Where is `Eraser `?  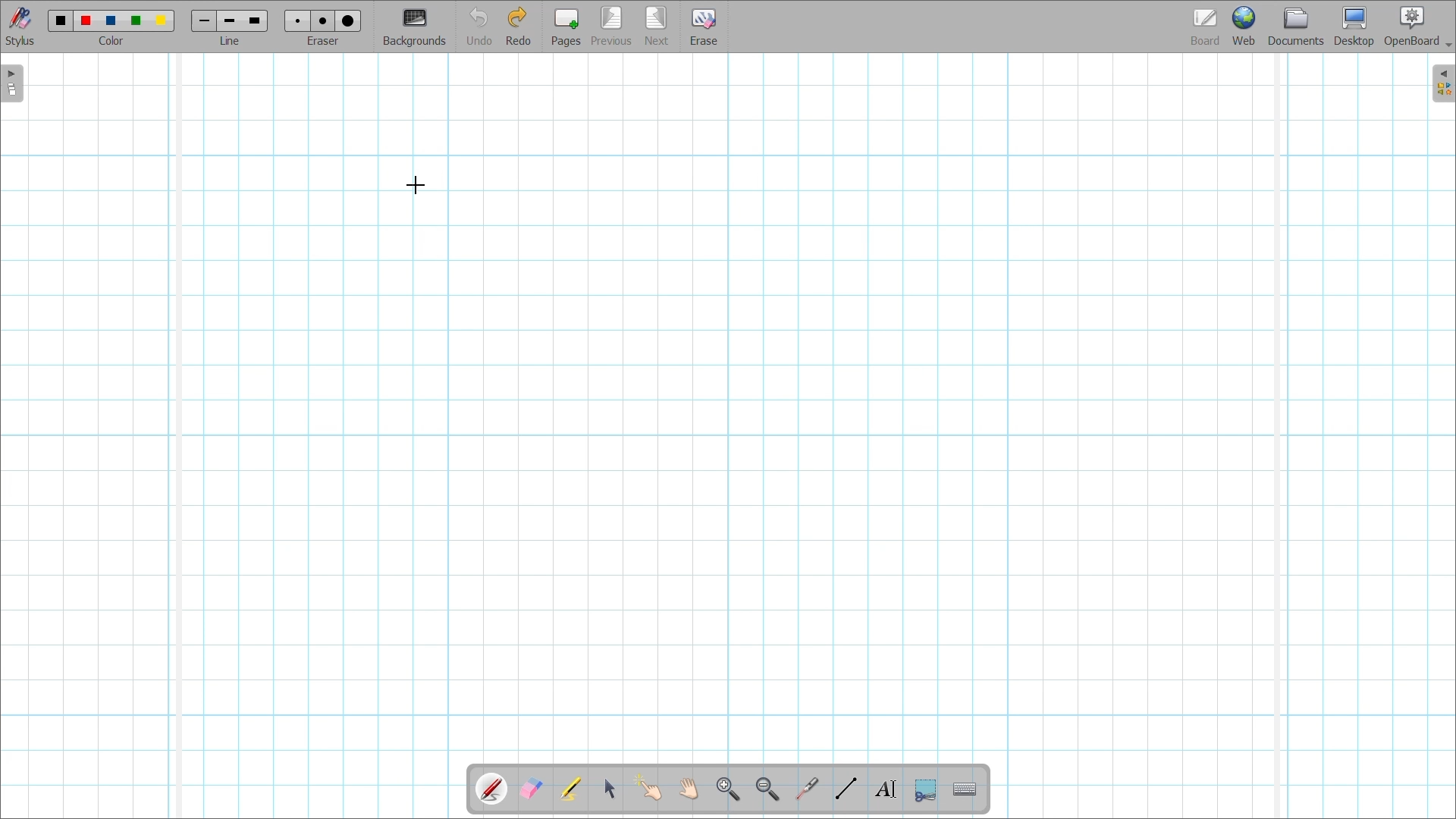 Eraser  is located at coordinates (322, 41).